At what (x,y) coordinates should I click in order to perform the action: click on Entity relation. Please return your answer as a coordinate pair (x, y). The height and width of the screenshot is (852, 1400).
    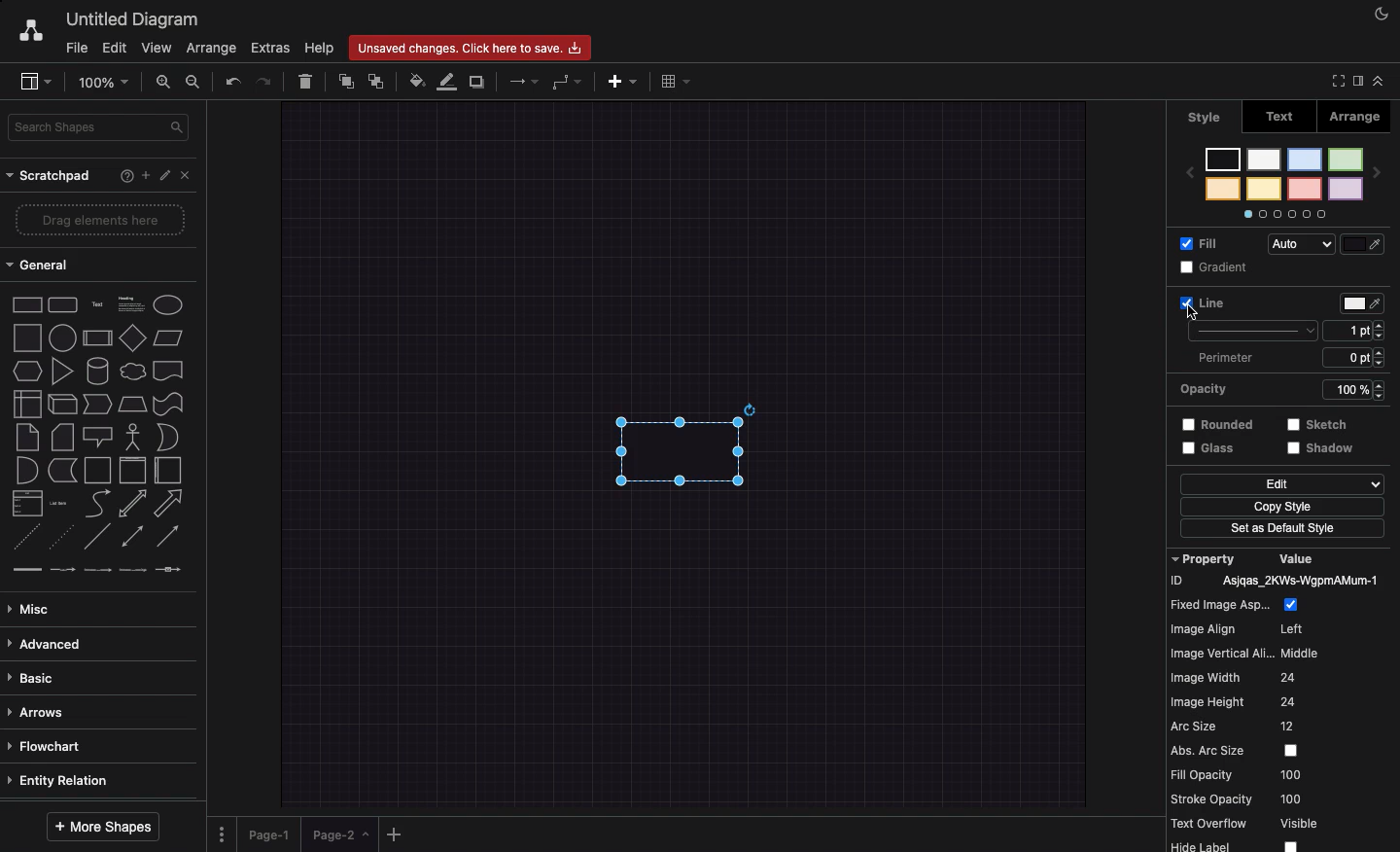
    Looking at the image, I should click on (62, 778).